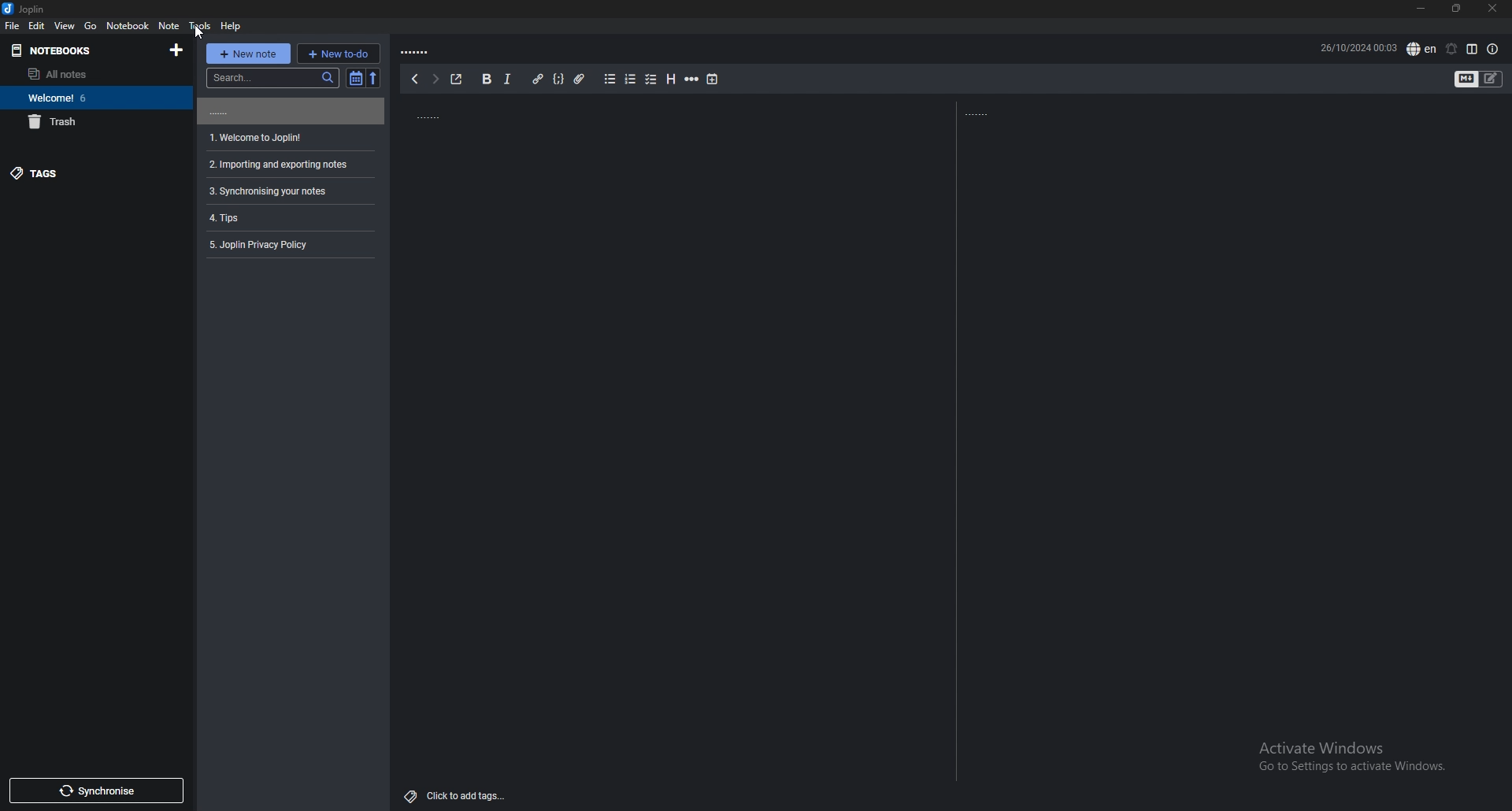 This screenshot has width=1512, height=811. Describe the element at coordinates (87, 73) in the screenshot. I see `all notes` at that location.